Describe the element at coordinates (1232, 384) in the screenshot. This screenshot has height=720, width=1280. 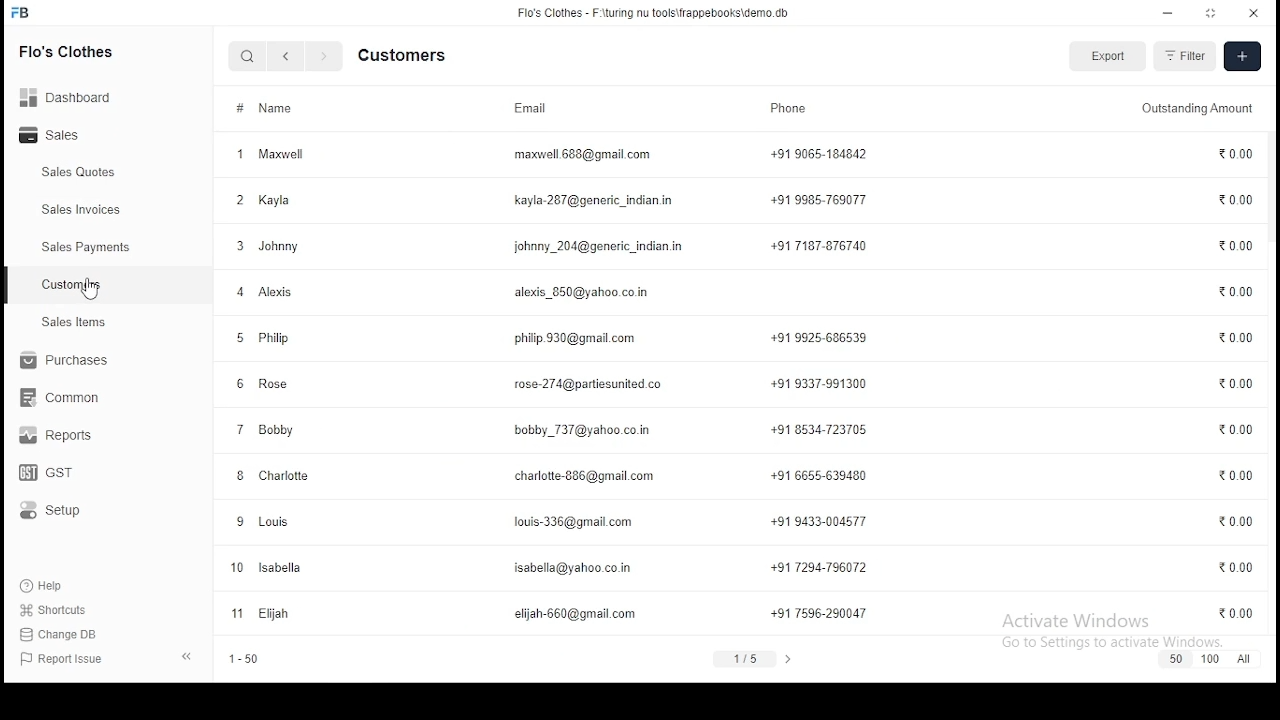
I see `0.00` at that location.